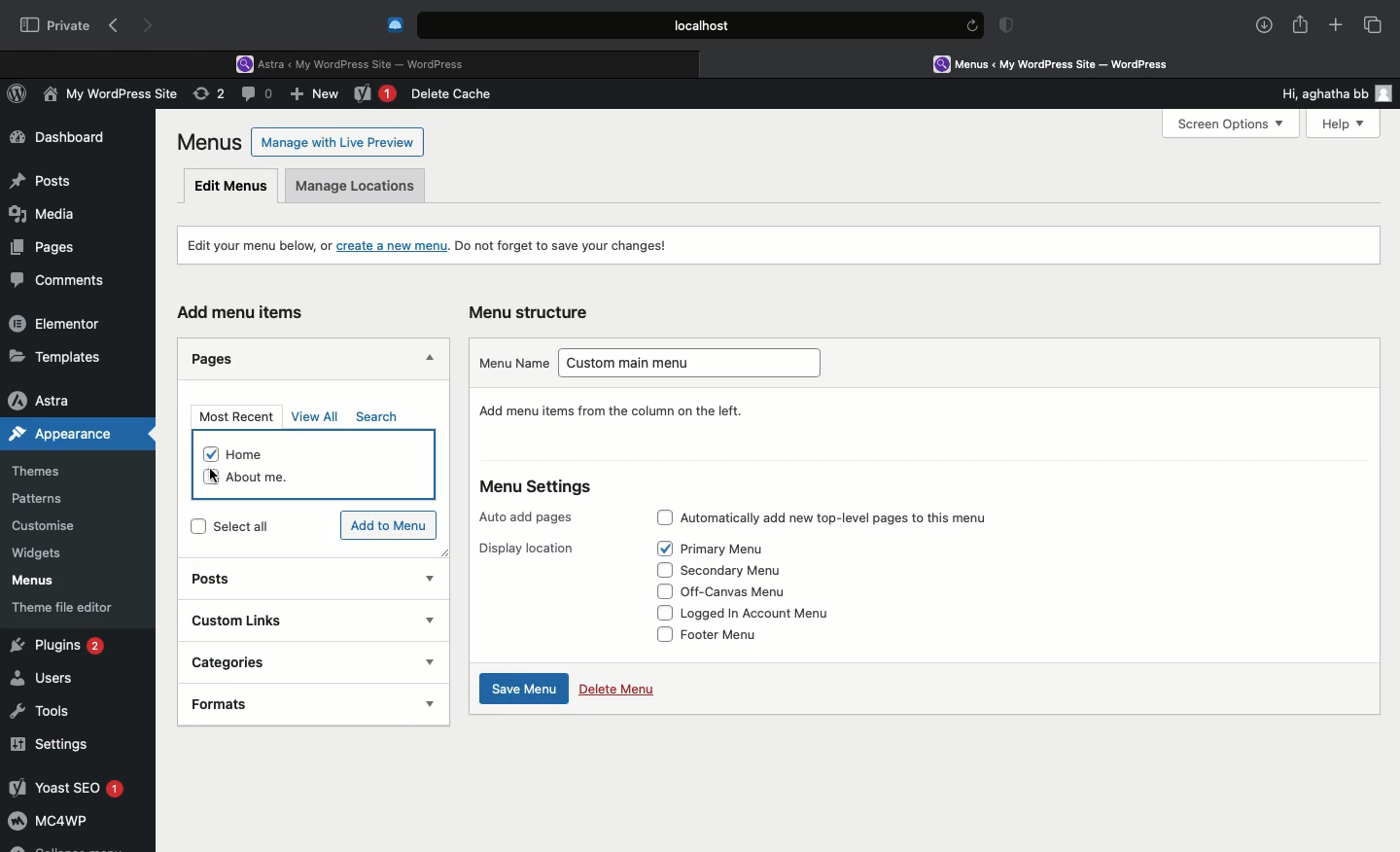 The image size is (1400, 852). I want to click on Add new tab, so click(1336, 28).